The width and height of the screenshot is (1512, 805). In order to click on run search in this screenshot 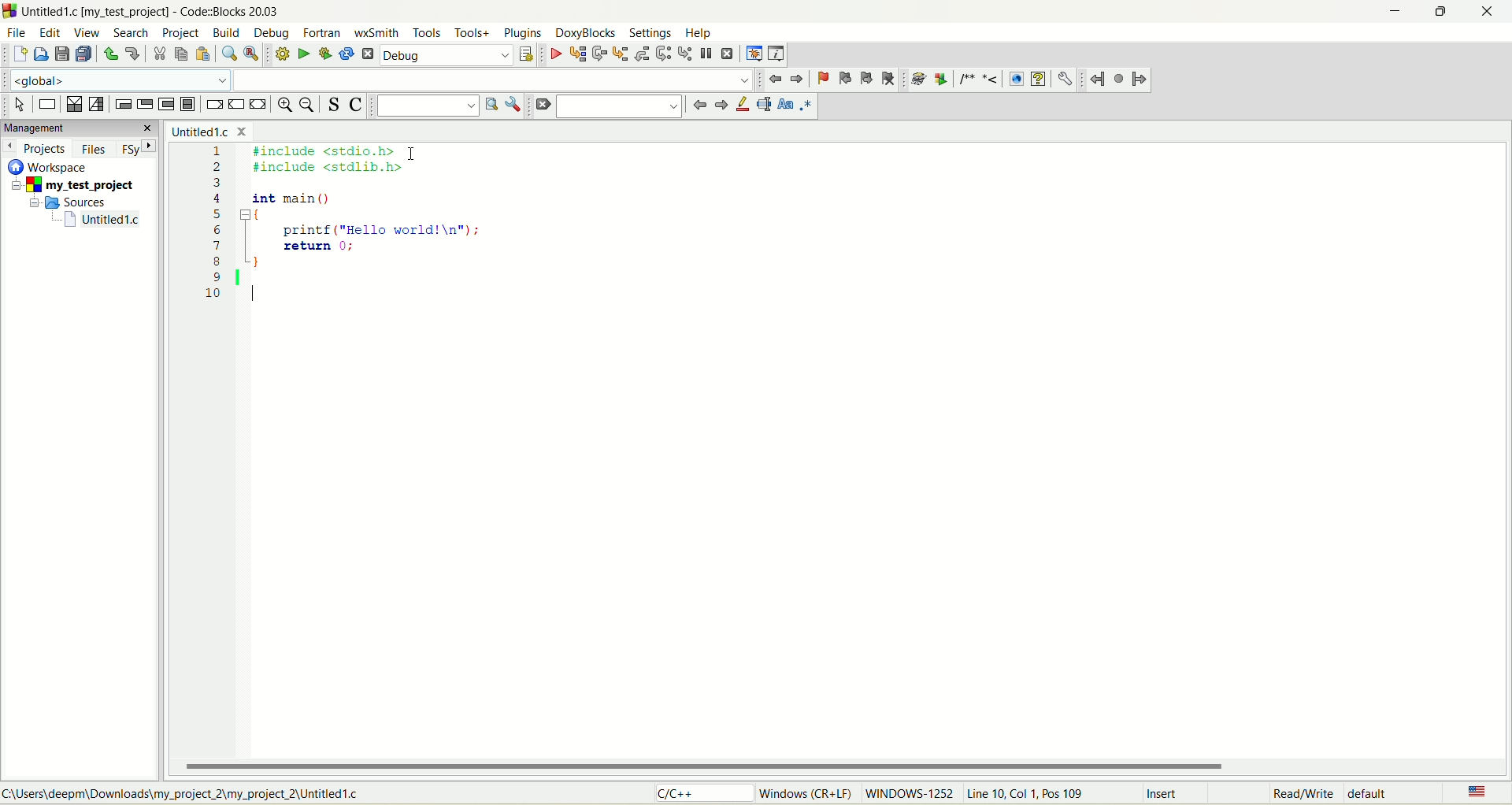, I will do `click(490, 109)`.